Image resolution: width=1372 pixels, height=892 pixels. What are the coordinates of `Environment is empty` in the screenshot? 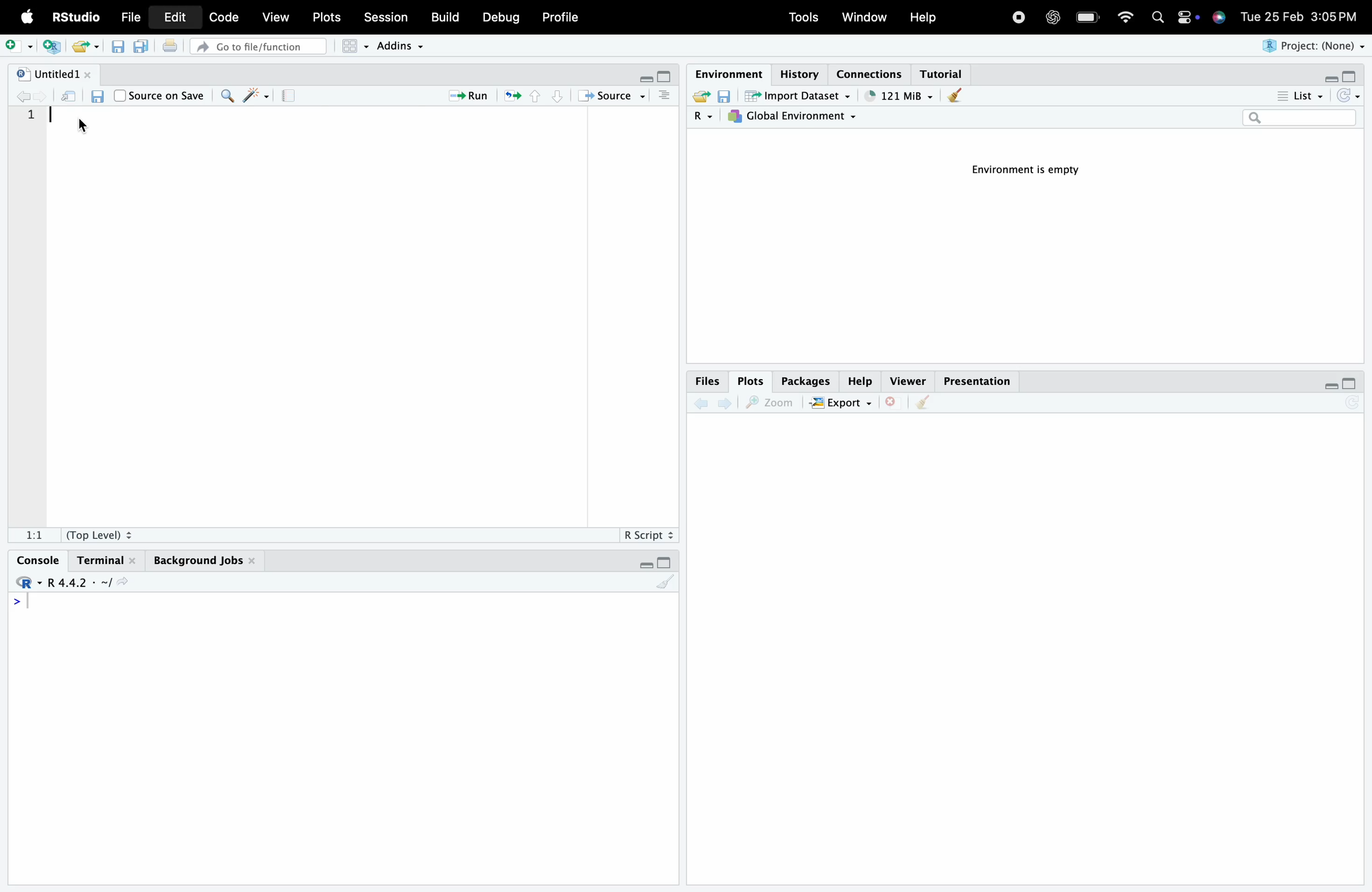 It's located at (1021, 174).